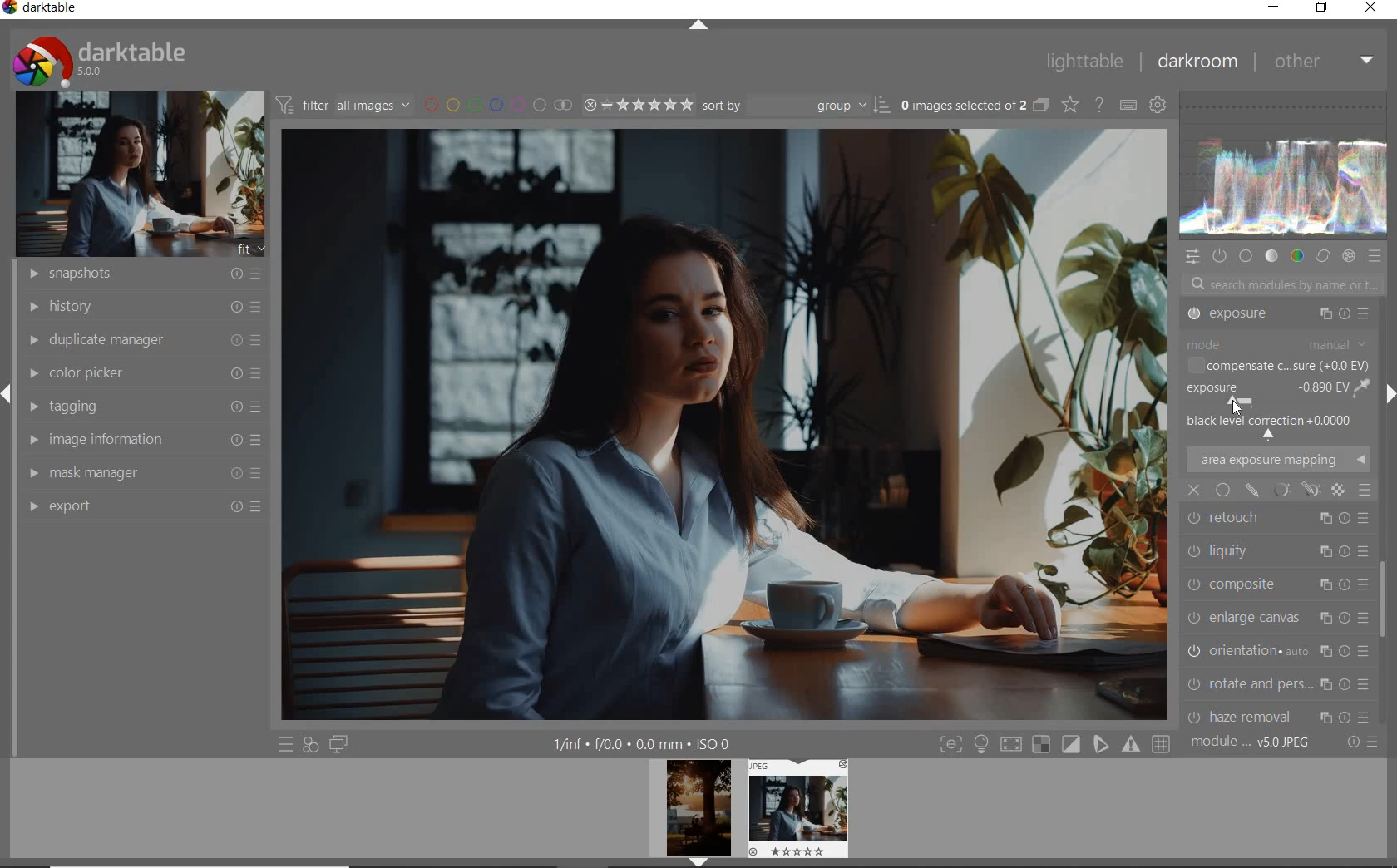  What do you see at coordinates (1199, 61) in the screenshot?
I see `DARKROOM` at bounding box center [1199, 61].